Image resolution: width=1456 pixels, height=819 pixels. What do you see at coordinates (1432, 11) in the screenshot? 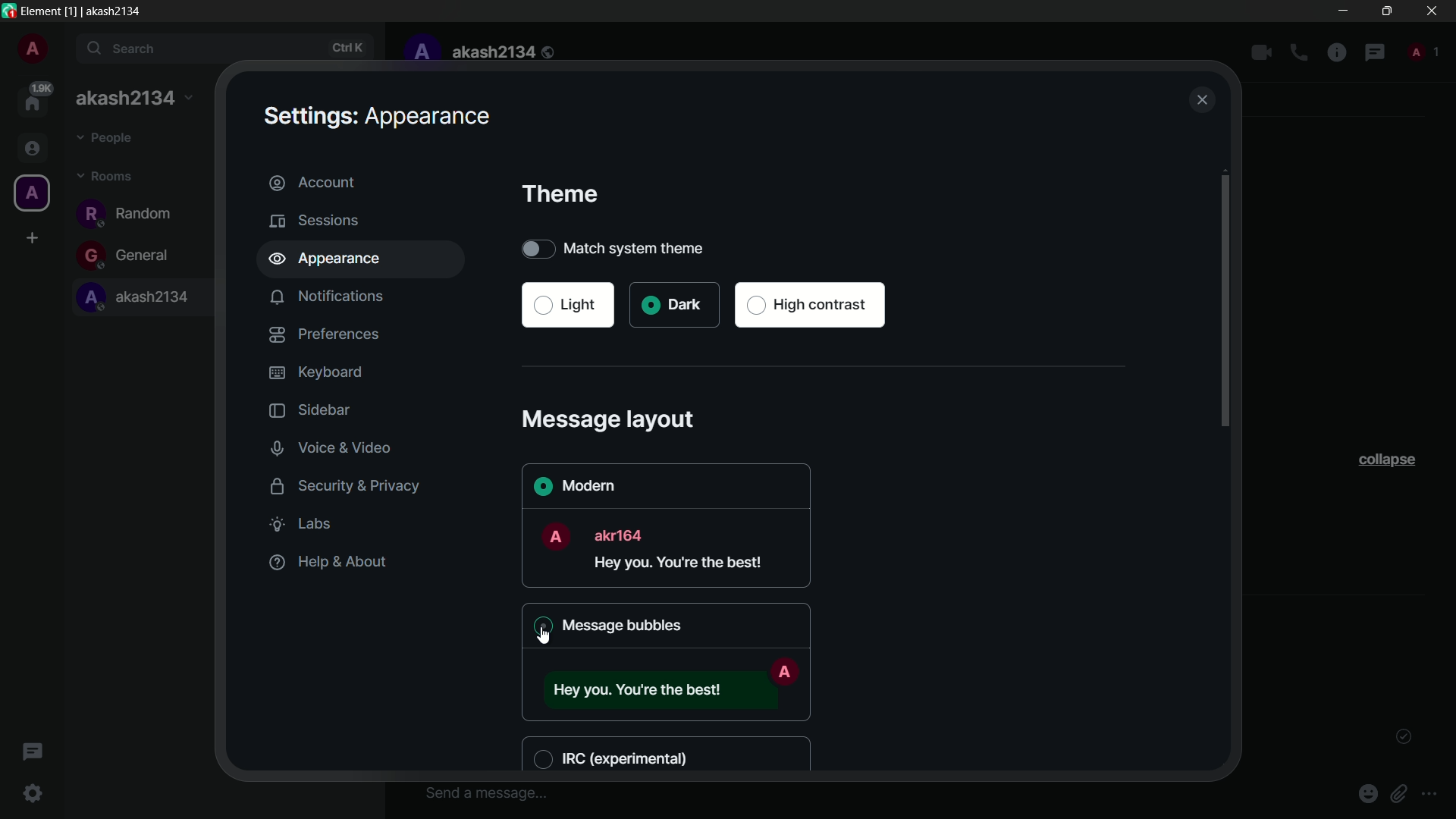
I see `close` at bounding box center [1432, 11].